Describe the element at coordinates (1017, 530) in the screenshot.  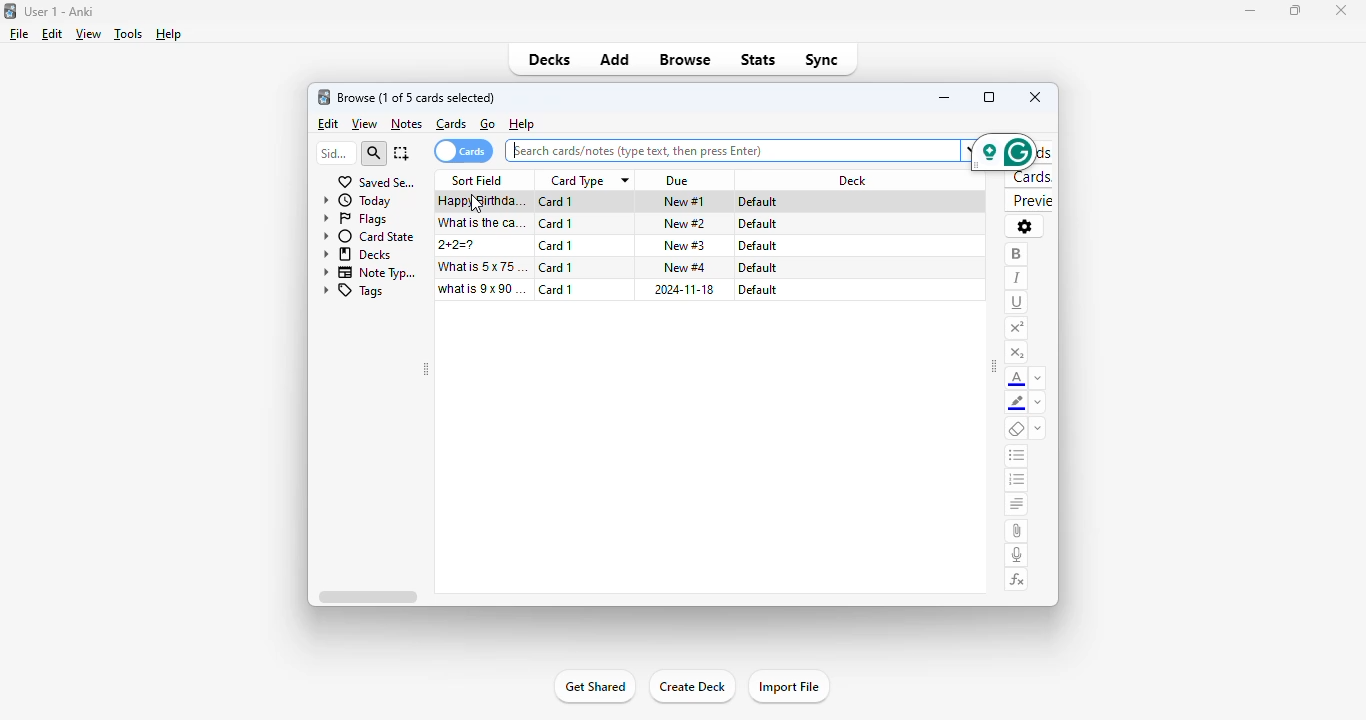
I see `attach pictures/audio/video` at that location.